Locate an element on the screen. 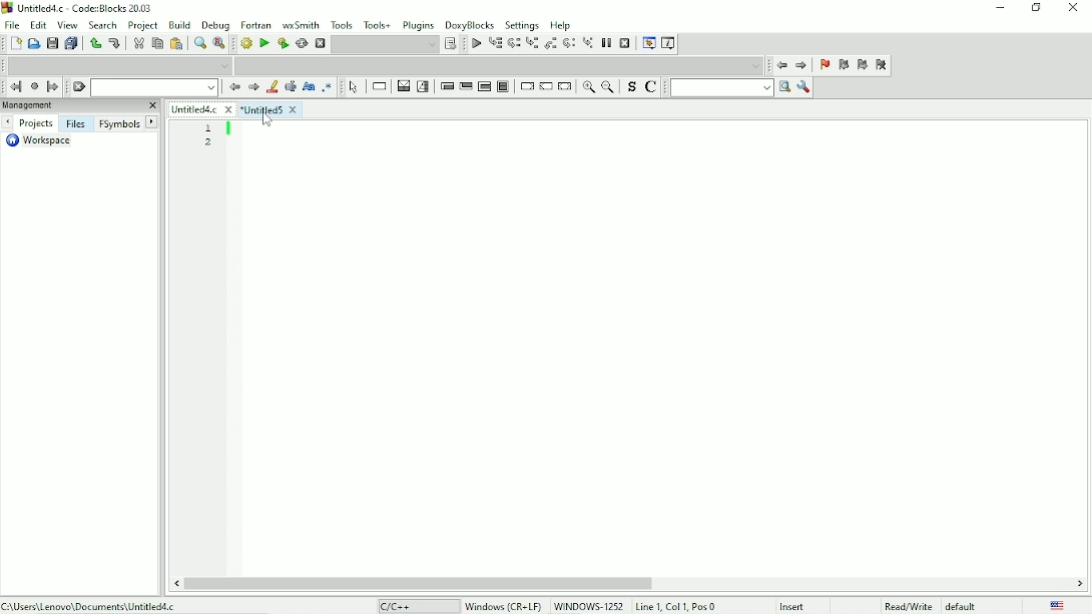 The height and width of the screenshot is (614, 1092). Undo is located at coordinates (93, 42).